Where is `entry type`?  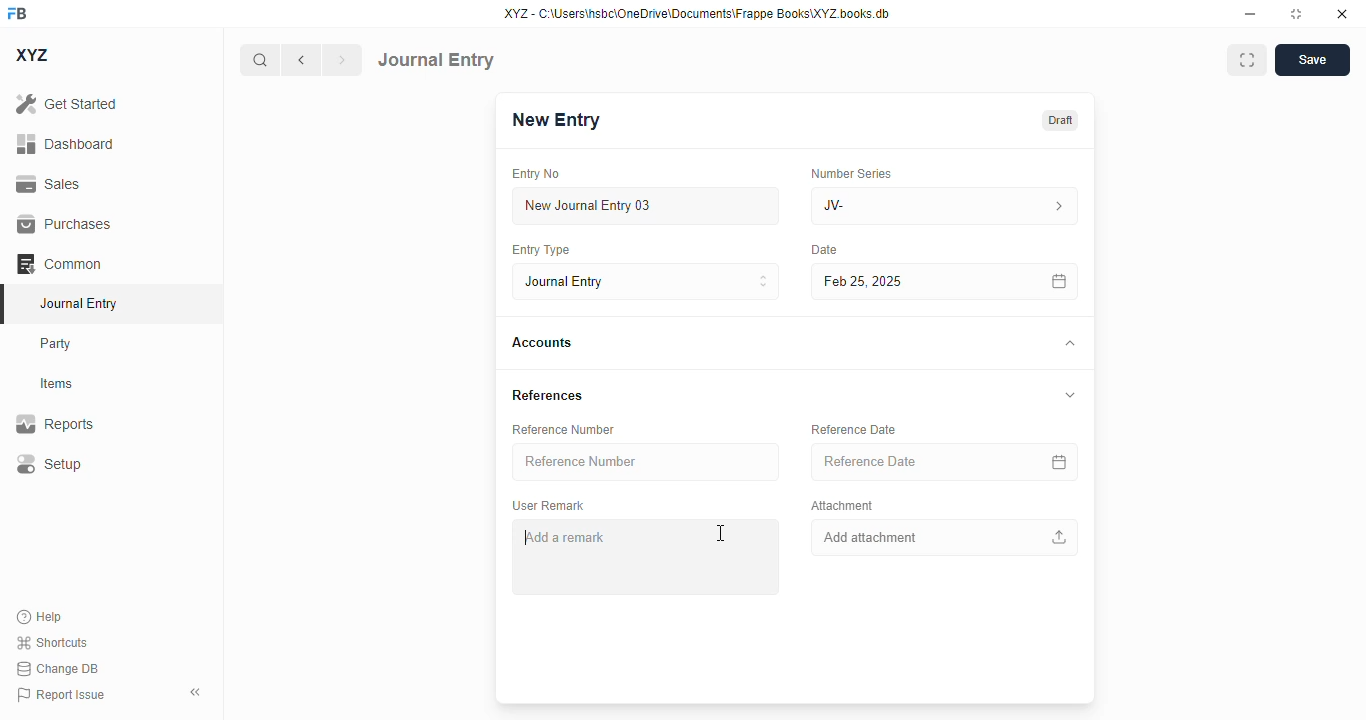 entry type is located at coordinates (539, 249).